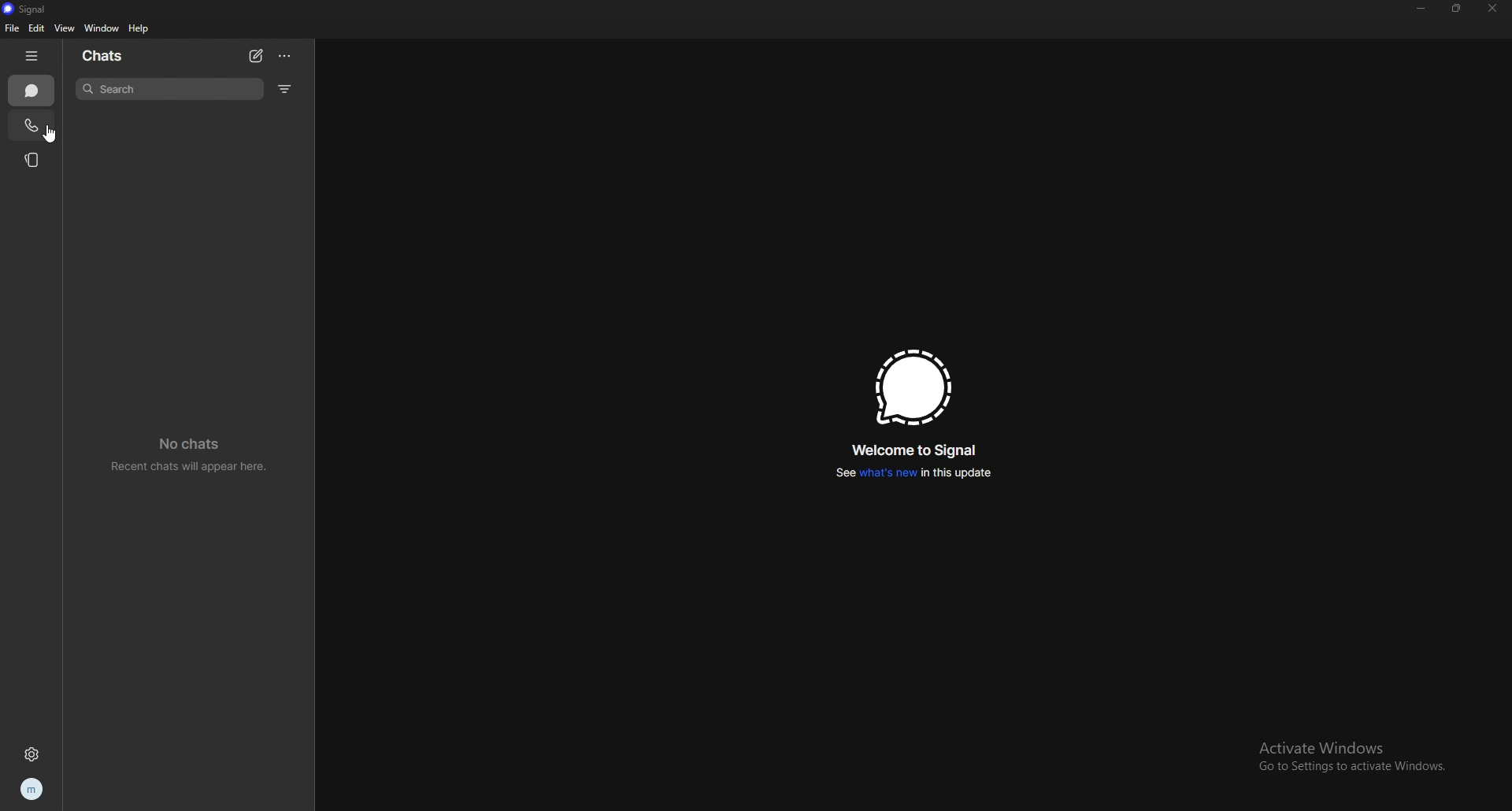 This screenshot has height=811, width=1512. I want to click on profile, so click(31, 790).